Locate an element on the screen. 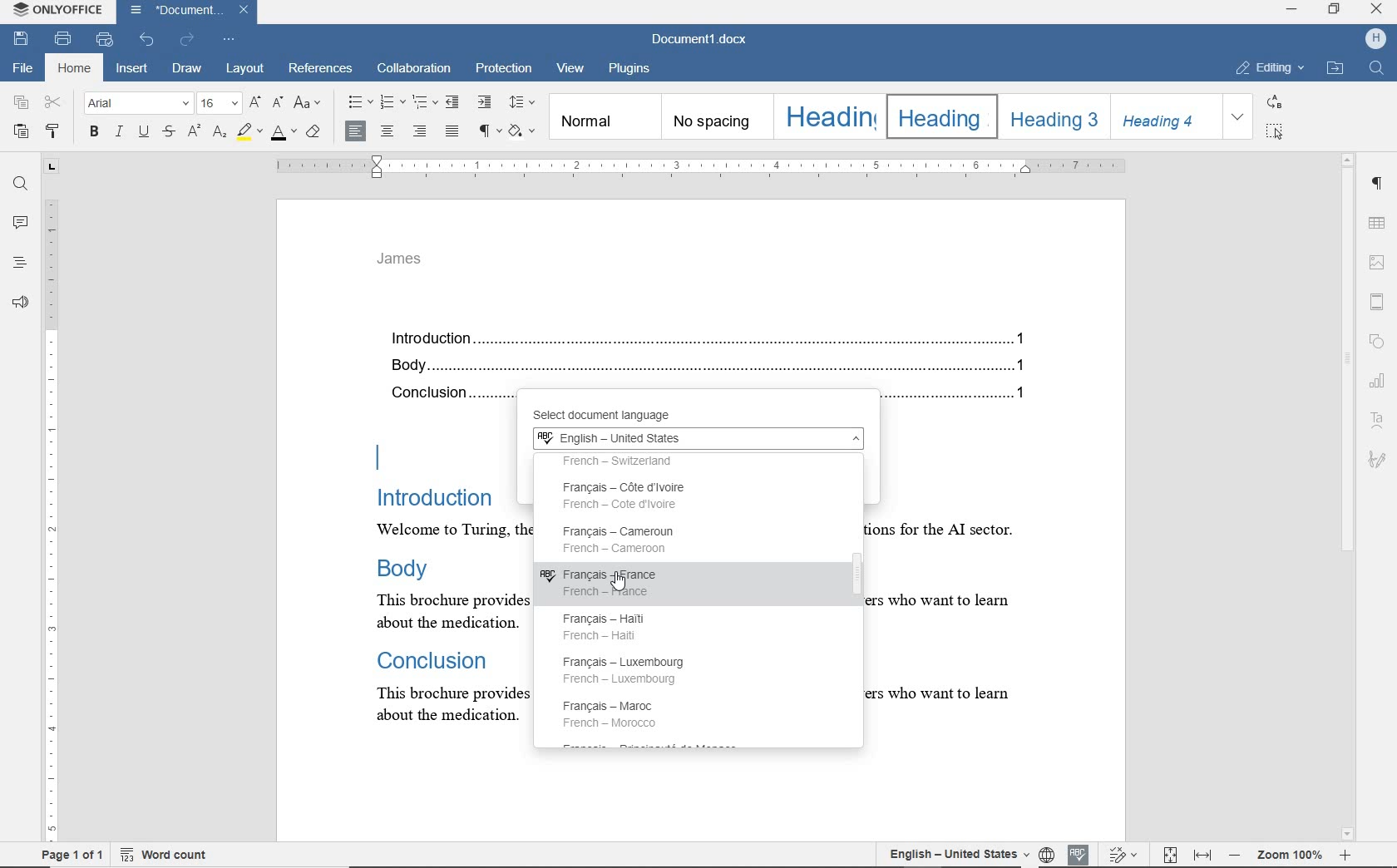 Image resolution: width=1397 pixels, height=868 pixels. ruler is located at coordinates (52, 504).